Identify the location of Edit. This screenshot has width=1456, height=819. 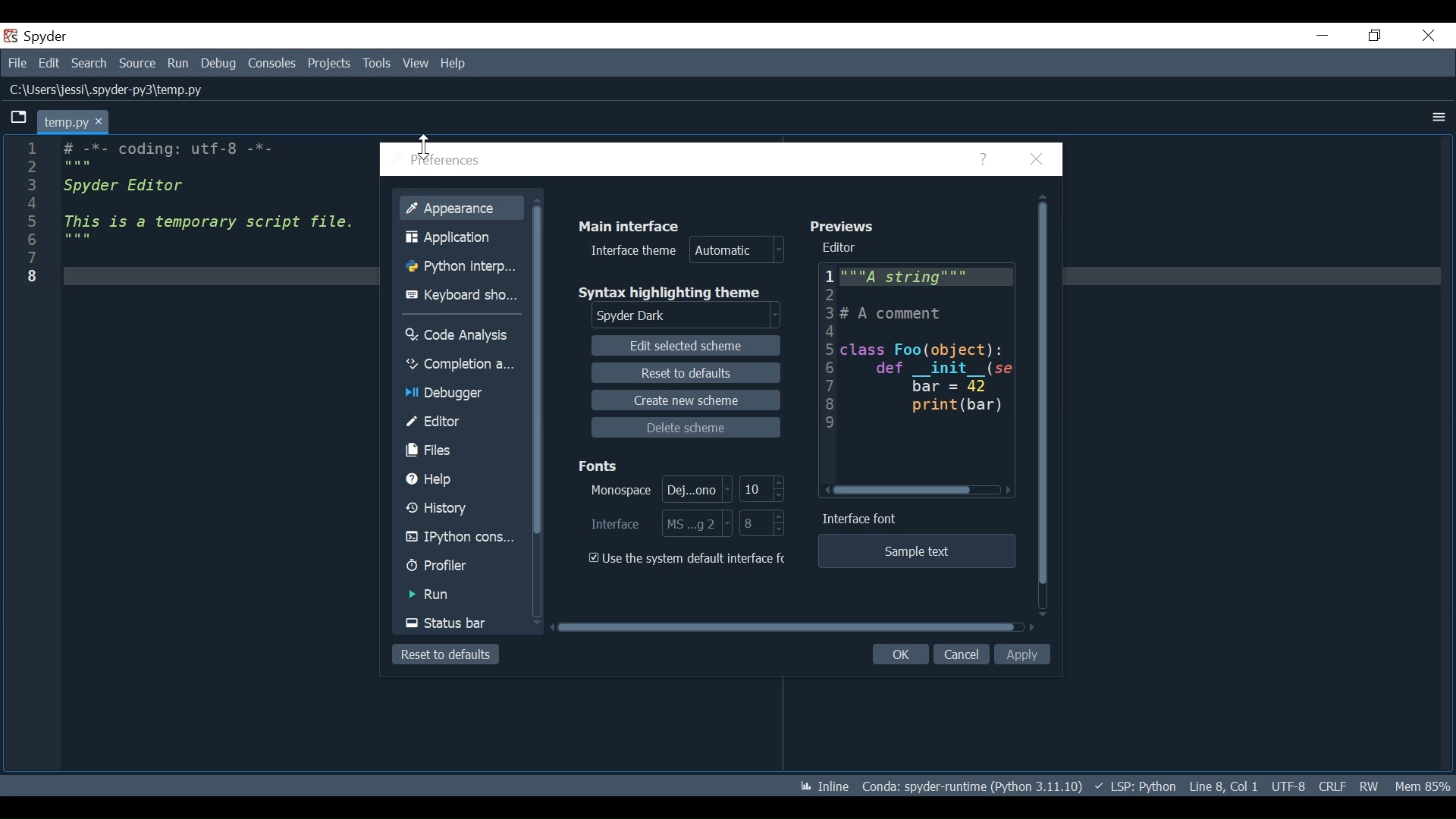
(51, 64).